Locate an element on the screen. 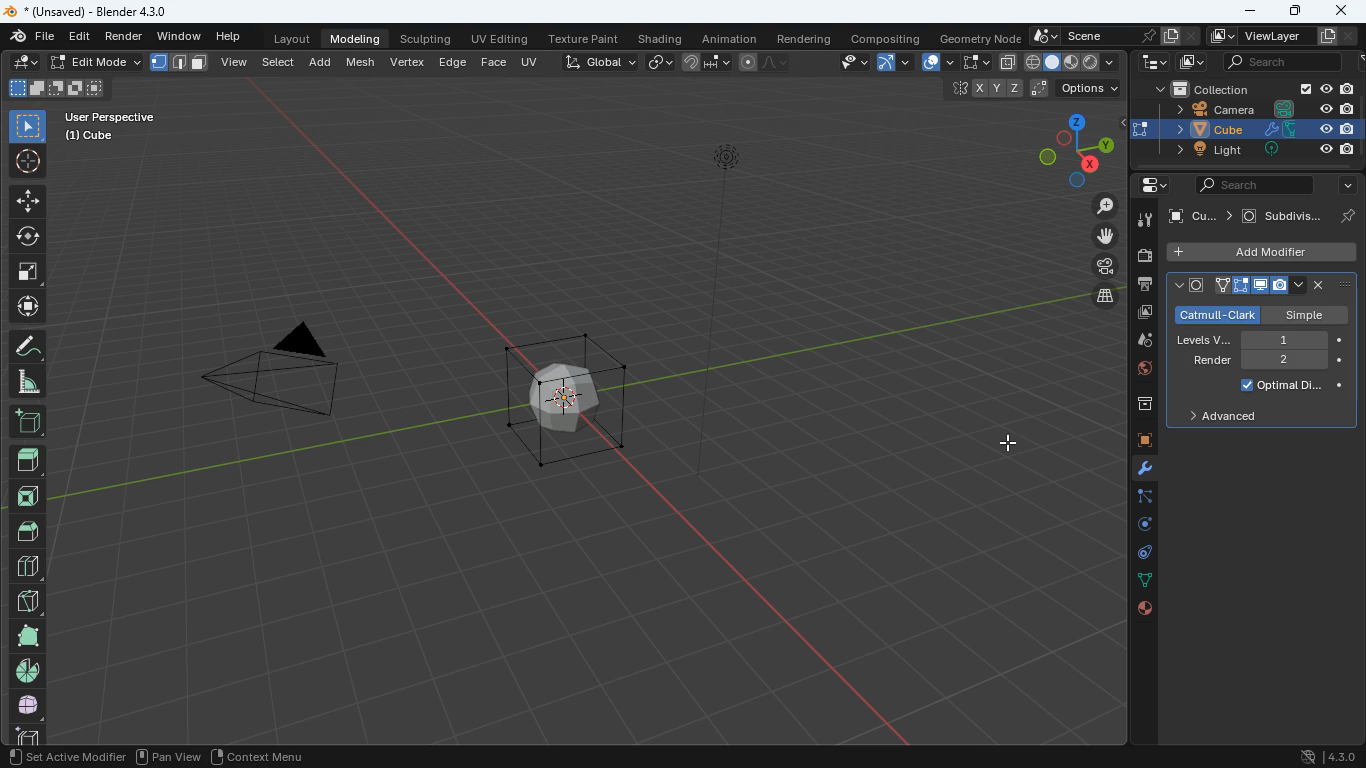 Image resolution: width=1366 pixels, height=768 pixels. fullscreen is located at coordinates (969, 61).